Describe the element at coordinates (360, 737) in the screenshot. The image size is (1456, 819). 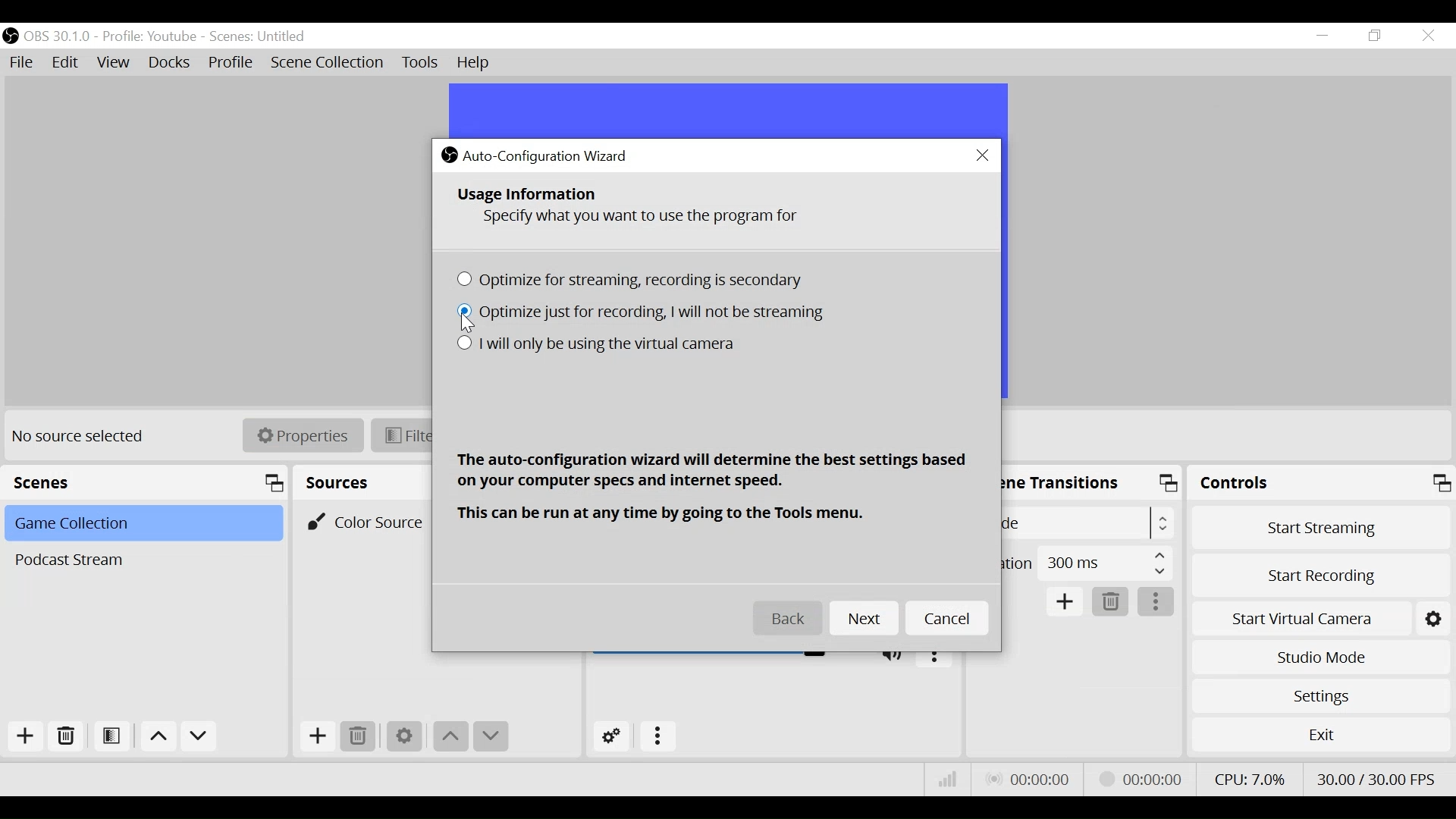
I see `Remove` at that location.